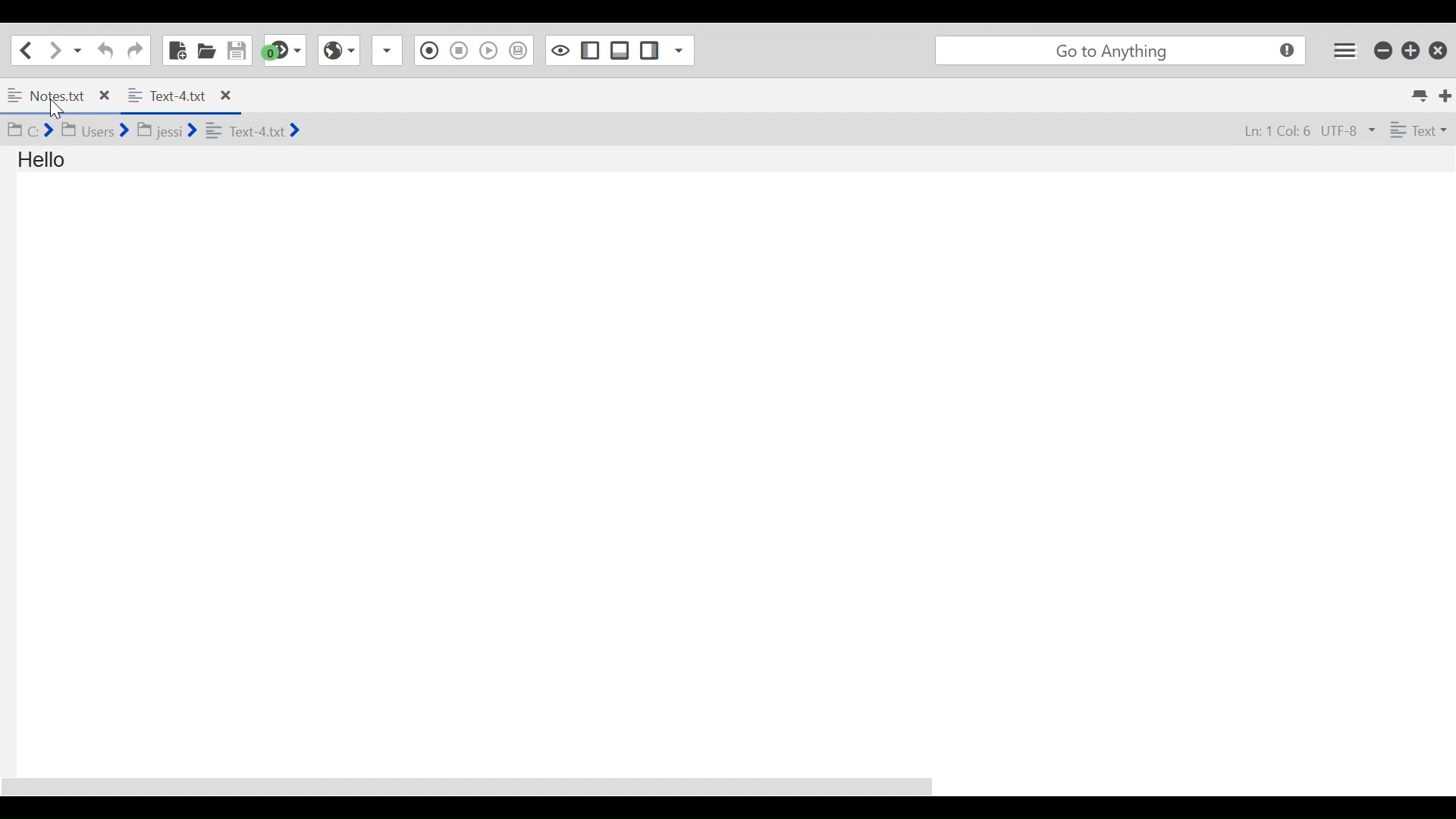 This screenshot has height=819, width=1456. I want to click on Restore, so click(1409, 50).